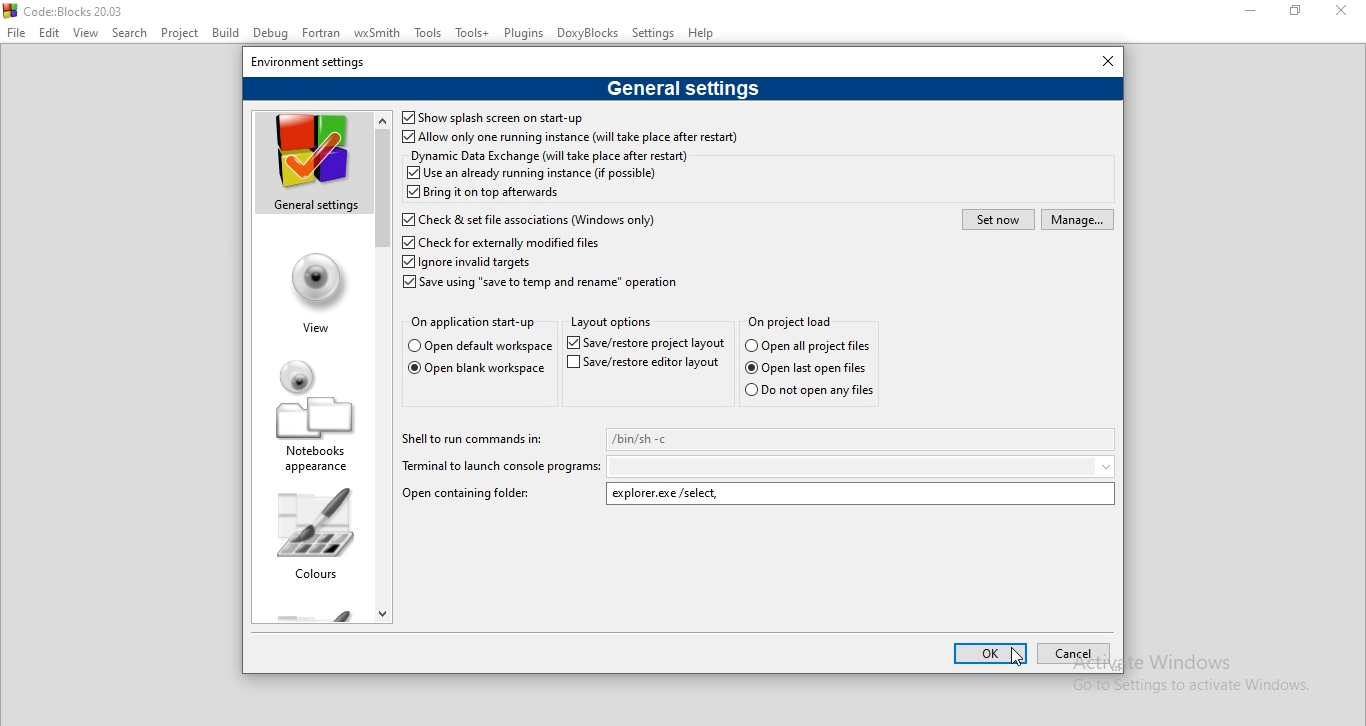 Image resolution: width=1366 pixels, height=726 pixels. I want to click on Open all project files, so click(476, 347).